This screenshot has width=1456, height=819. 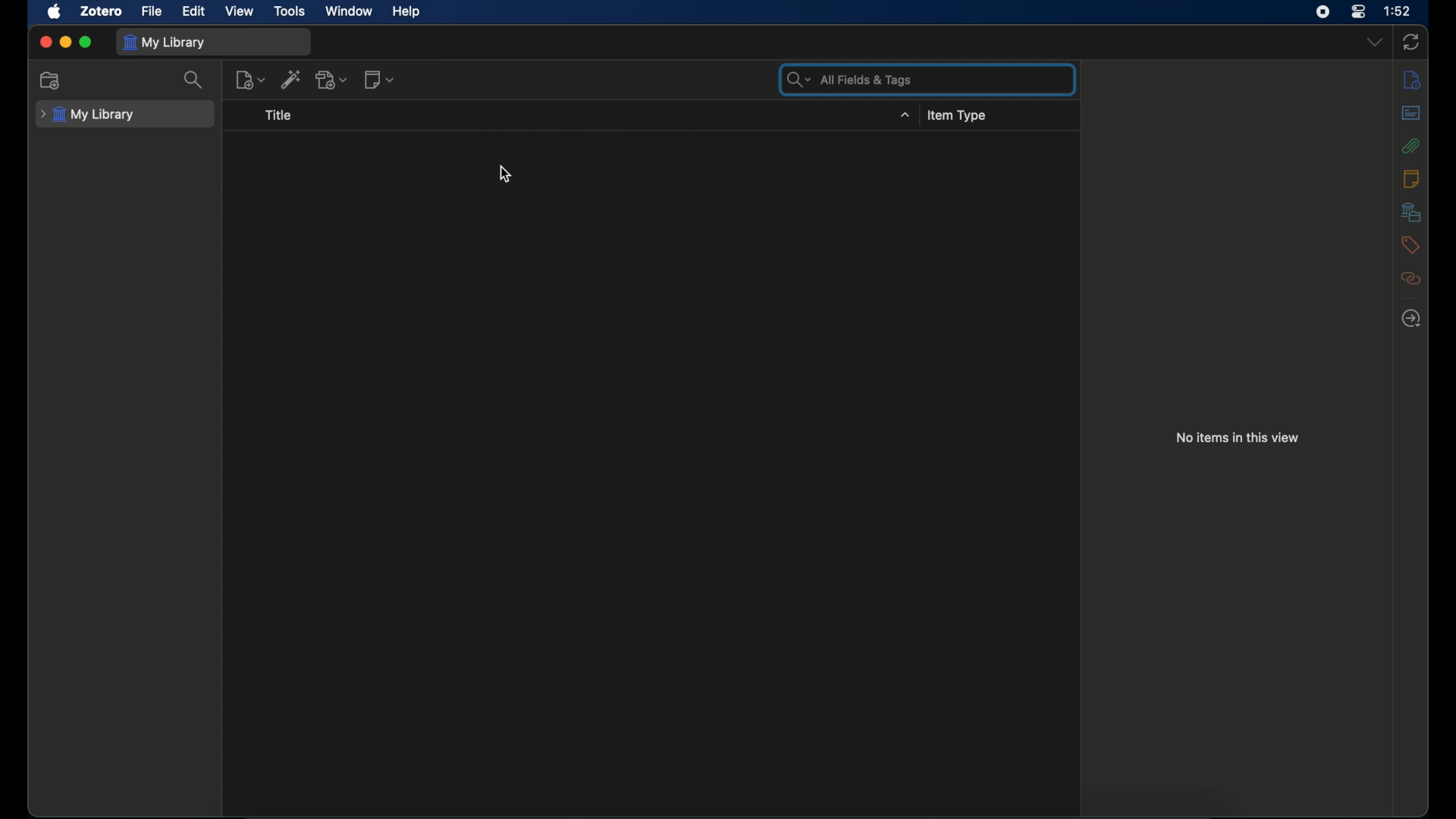 What do you see at coordinates (65, 41) in the screenshot?
I see `minimize` at bounding box center [65, 41].